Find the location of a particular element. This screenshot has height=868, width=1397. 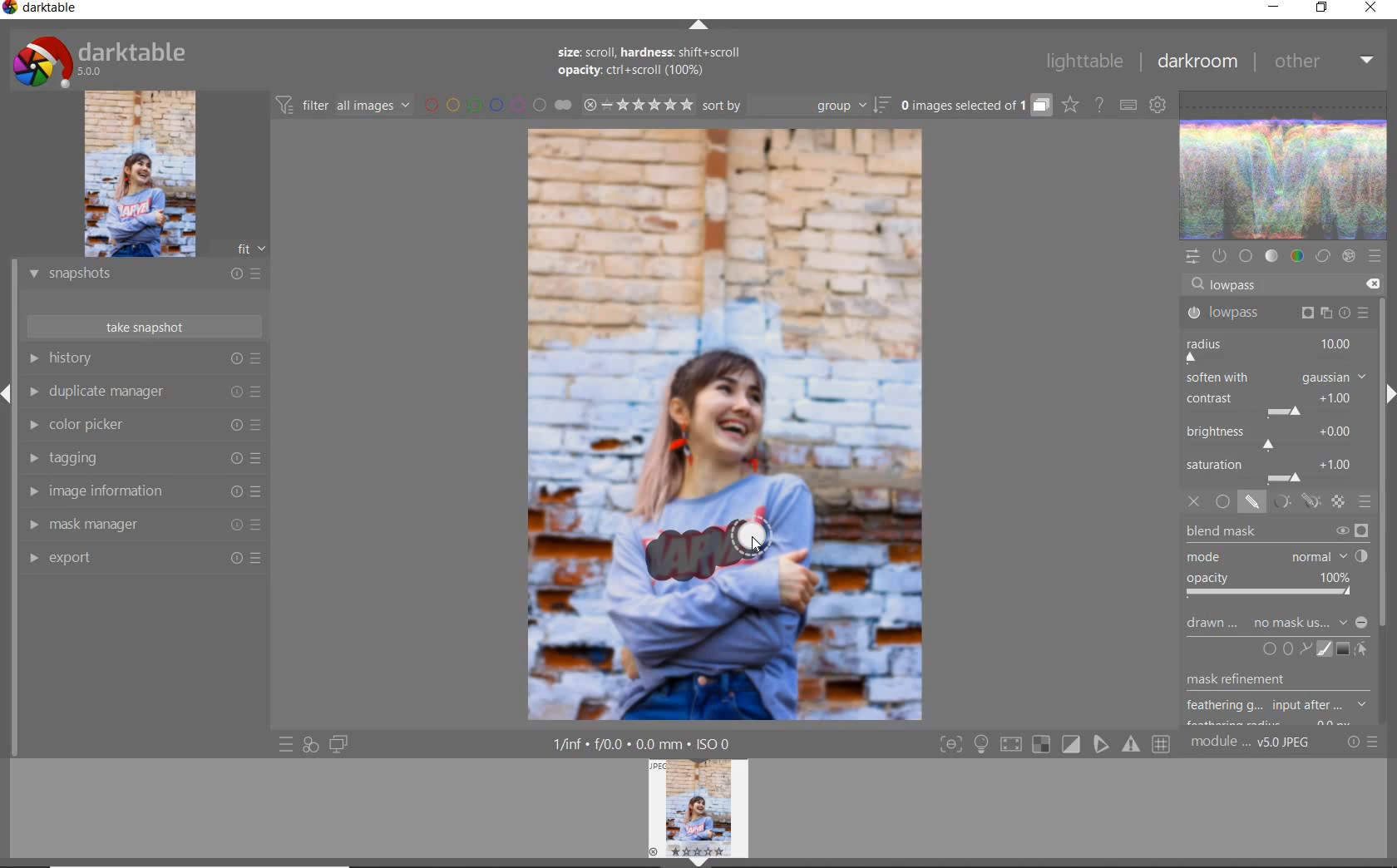

Toggle modes is located at coordinates (1054, 745).